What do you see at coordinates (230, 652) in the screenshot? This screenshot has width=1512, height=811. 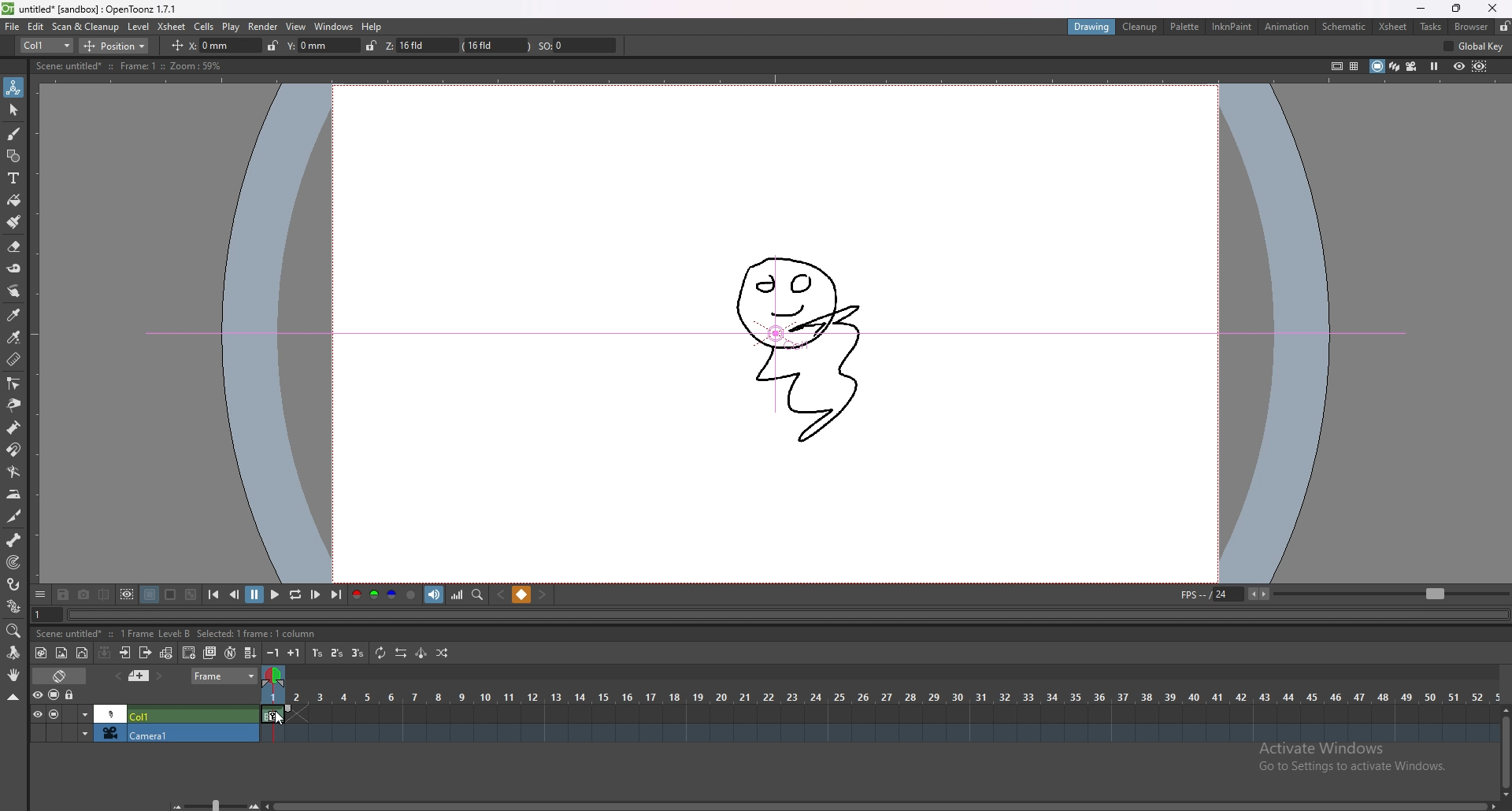 I see `auto input cell number` at bounding box center [230, 652].